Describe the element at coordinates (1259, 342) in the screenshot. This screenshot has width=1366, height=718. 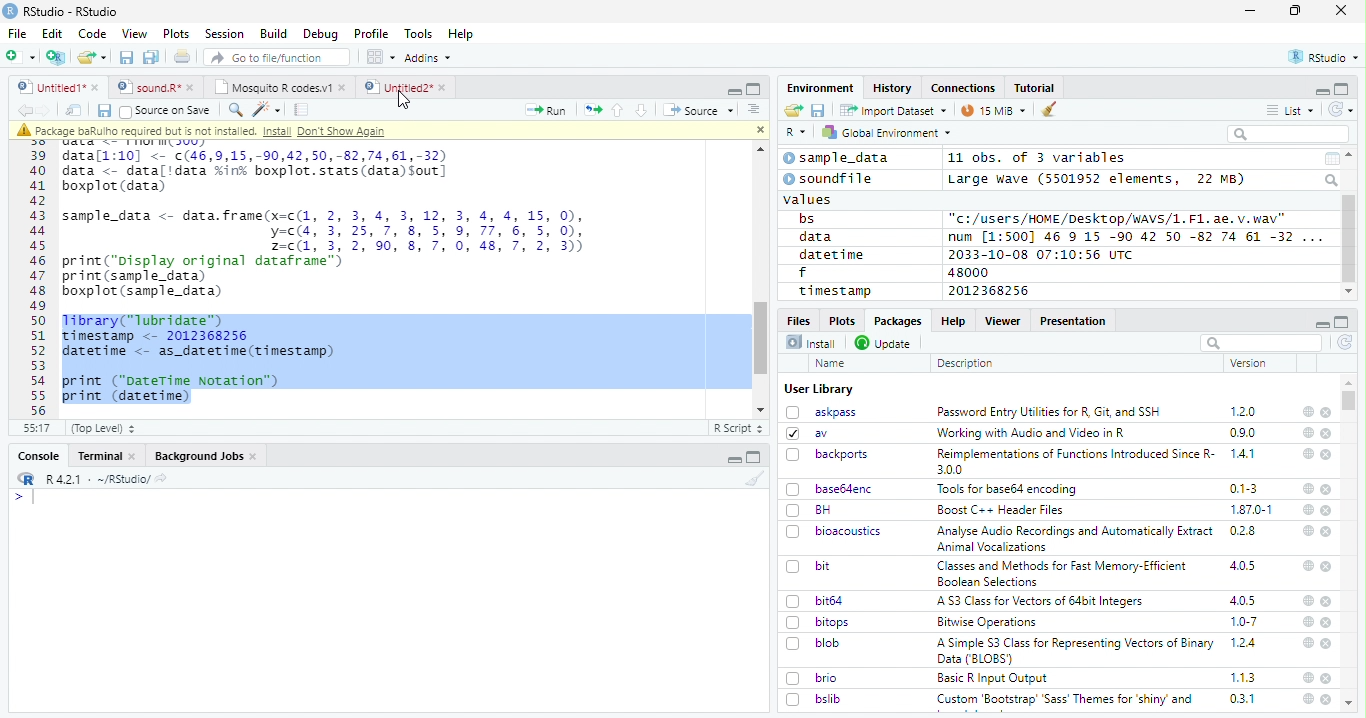
I see `search bar` at that location.